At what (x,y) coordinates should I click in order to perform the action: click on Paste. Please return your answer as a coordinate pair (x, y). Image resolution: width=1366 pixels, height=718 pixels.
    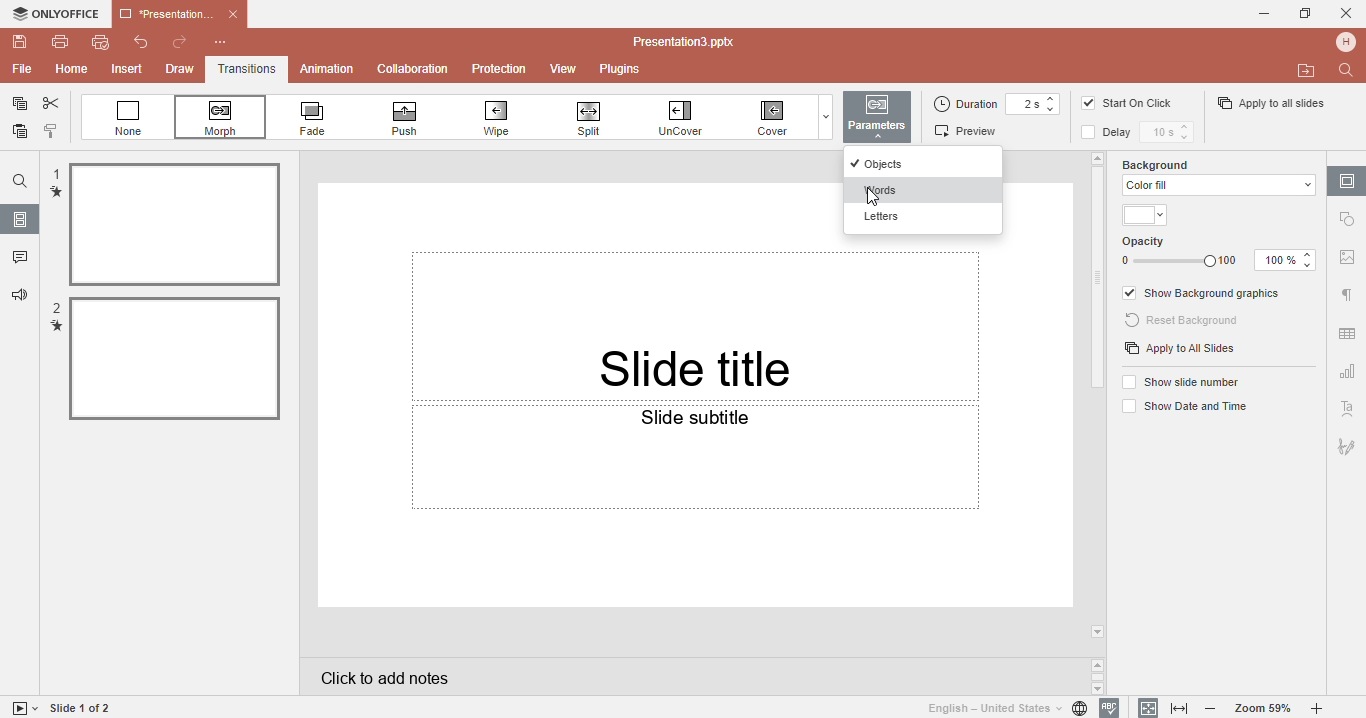
    Looking at the image, I should click on (17, 135).